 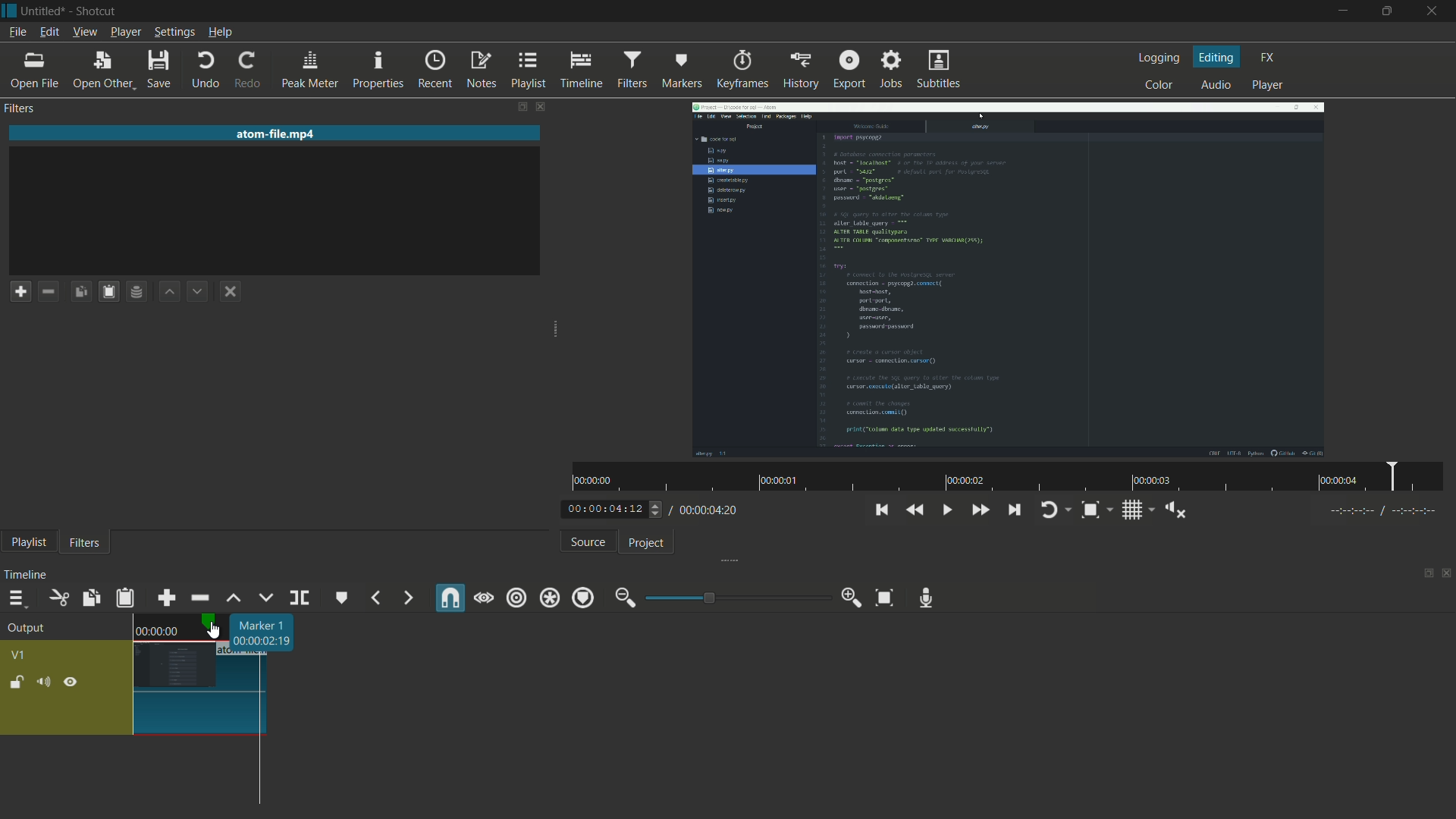 What do you see at coordinates (586, 542) in the screenshot?
I see `source` at bounding box center [586, 542].